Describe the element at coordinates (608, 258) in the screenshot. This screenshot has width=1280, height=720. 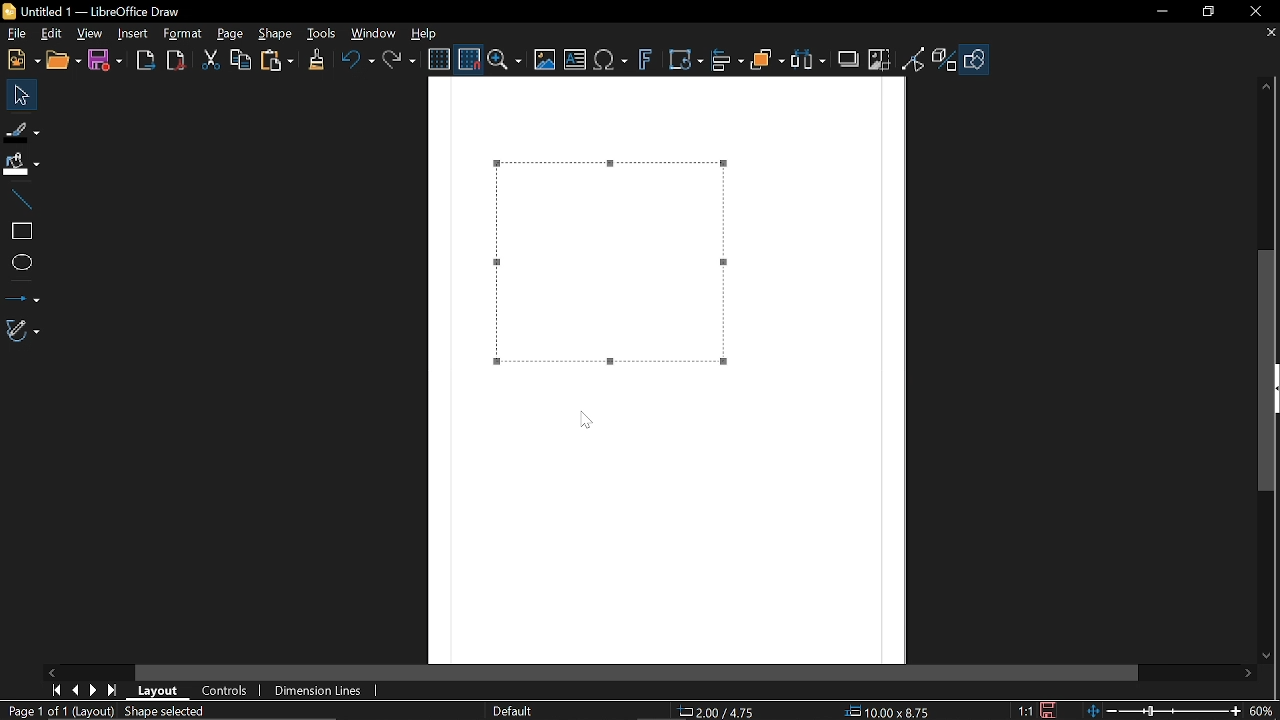
I see `Dash added` at that location.